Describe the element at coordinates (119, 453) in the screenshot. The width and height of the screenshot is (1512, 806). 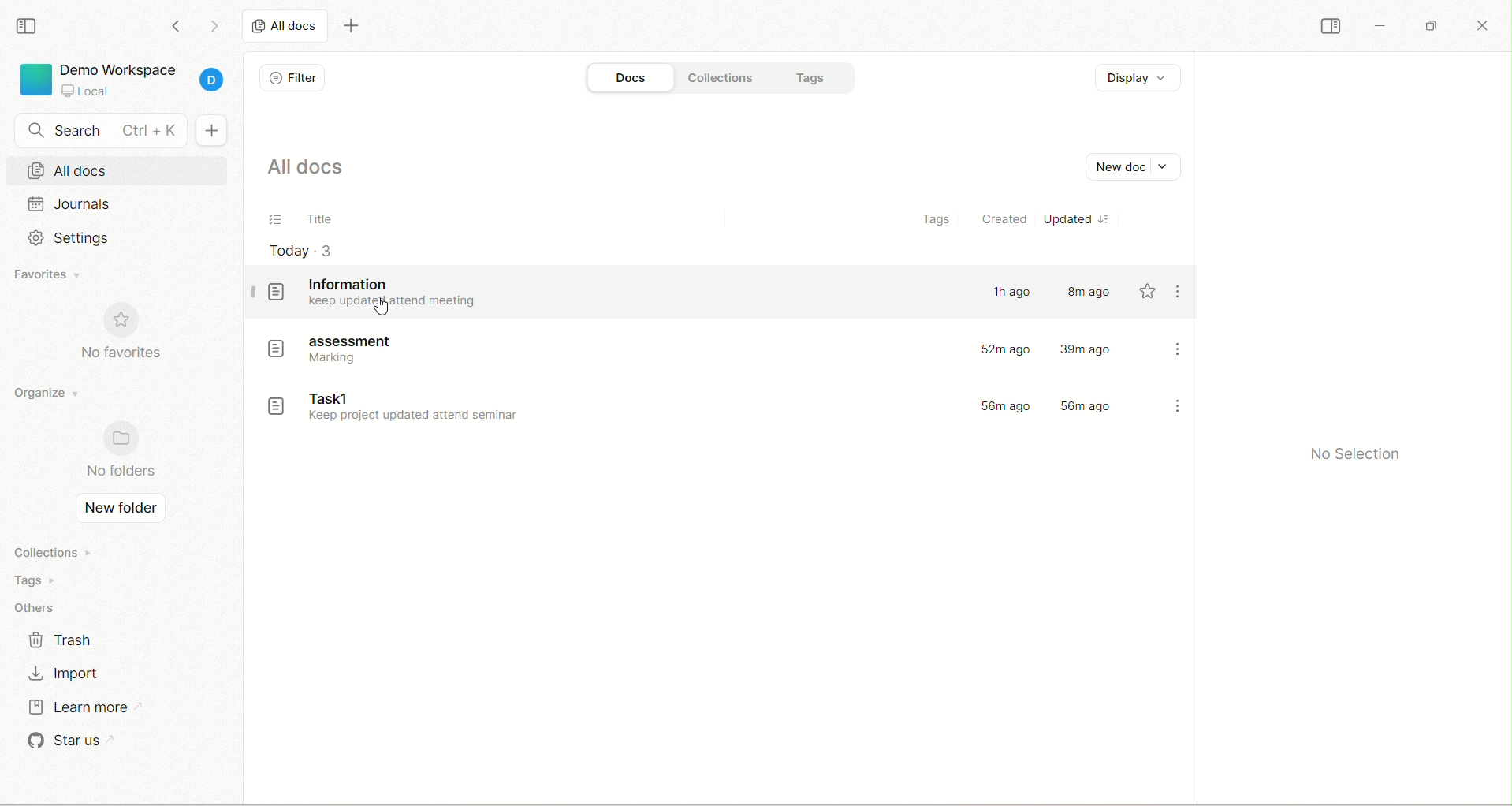
I see `no folders` at that location.